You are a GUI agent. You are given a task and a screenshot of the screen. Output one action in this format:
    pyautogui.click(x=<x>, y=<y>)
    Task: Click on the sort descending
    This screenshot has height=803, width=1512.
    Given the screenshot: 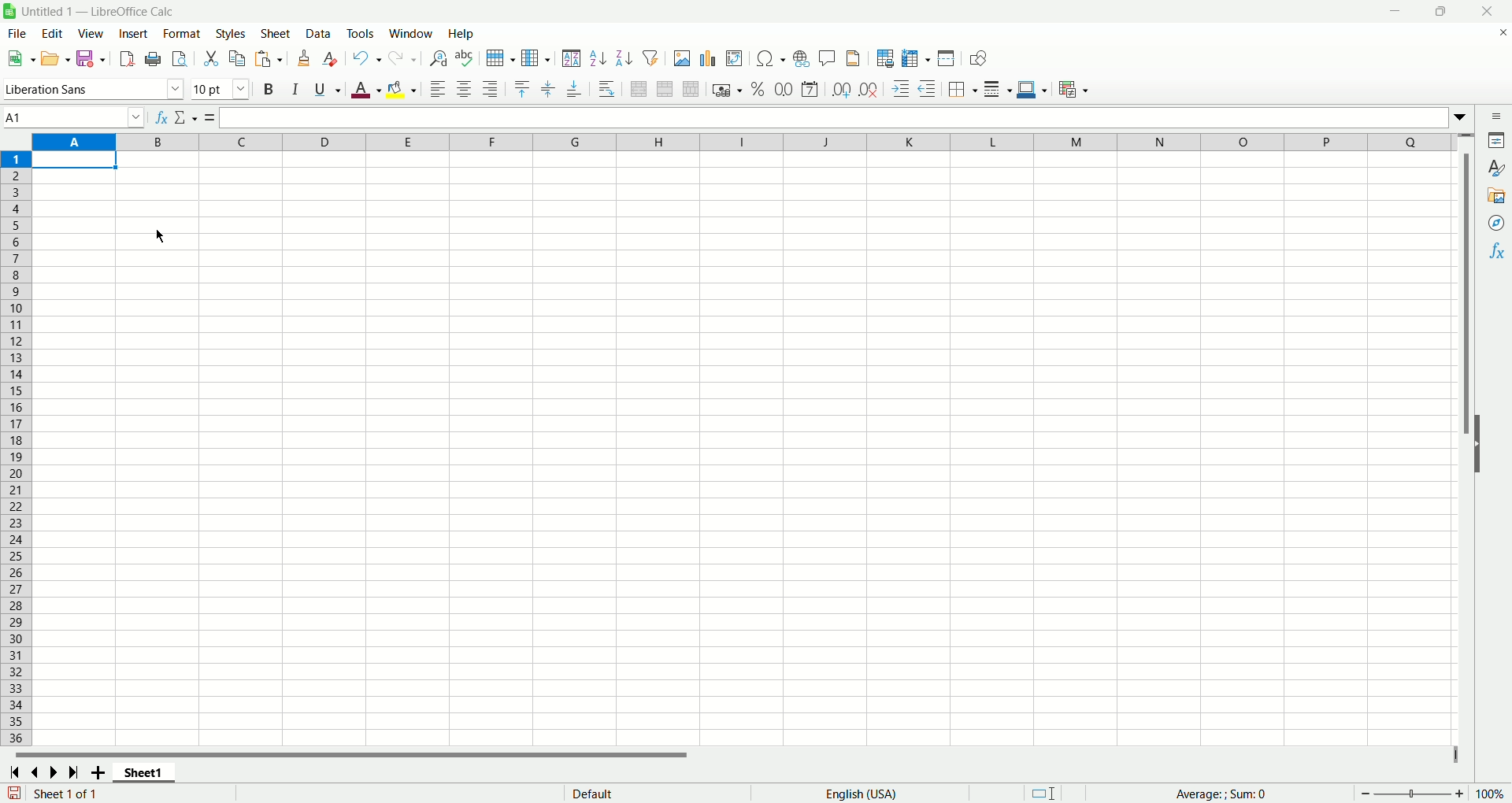 What is the action you would take?
    pyautogui.click(x=623, y=57)
    